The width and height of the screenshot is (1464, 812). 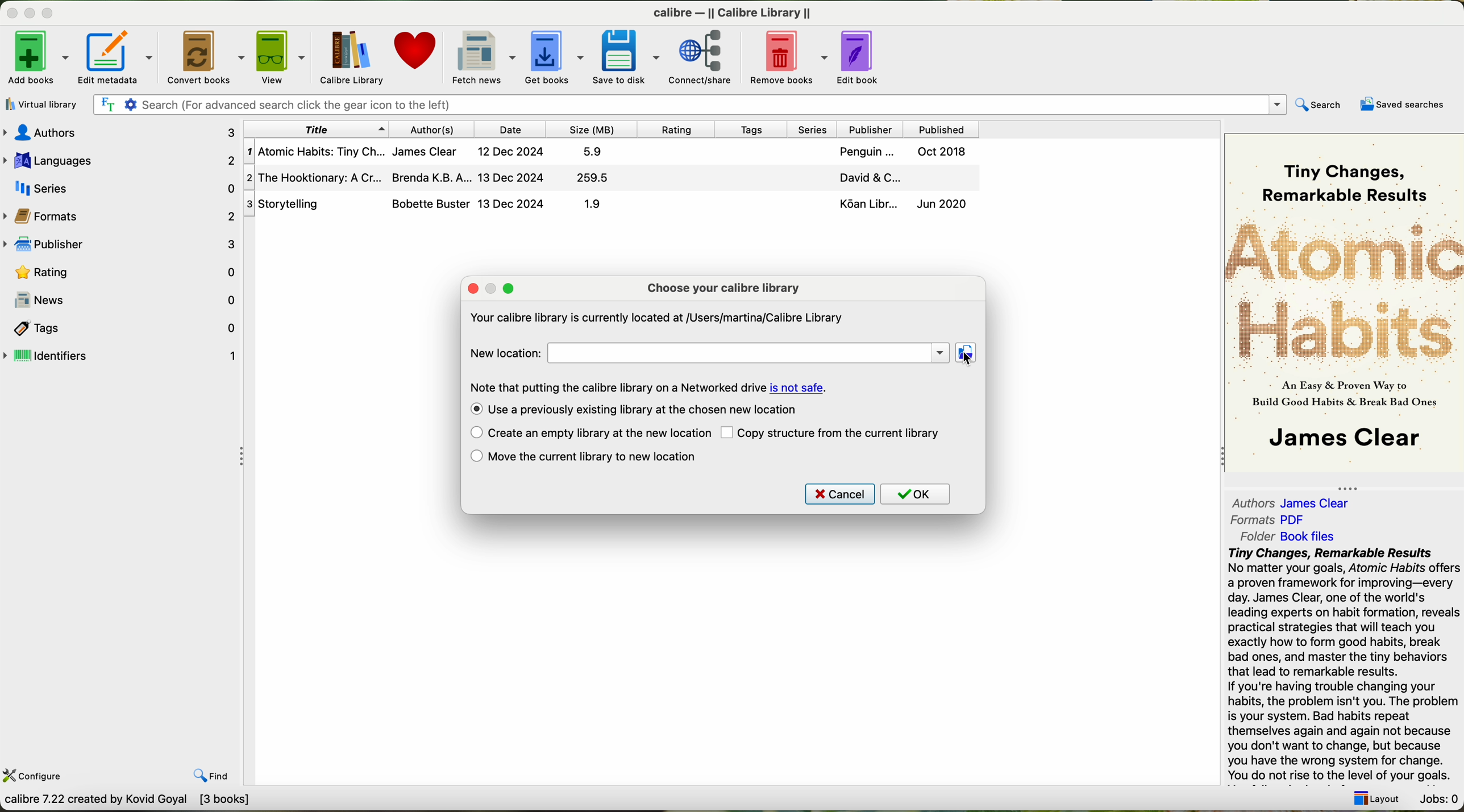 What do you see at coordinates (43, 105) in the screenshot?
I see `virtual library` at bounding box center [43, 105].